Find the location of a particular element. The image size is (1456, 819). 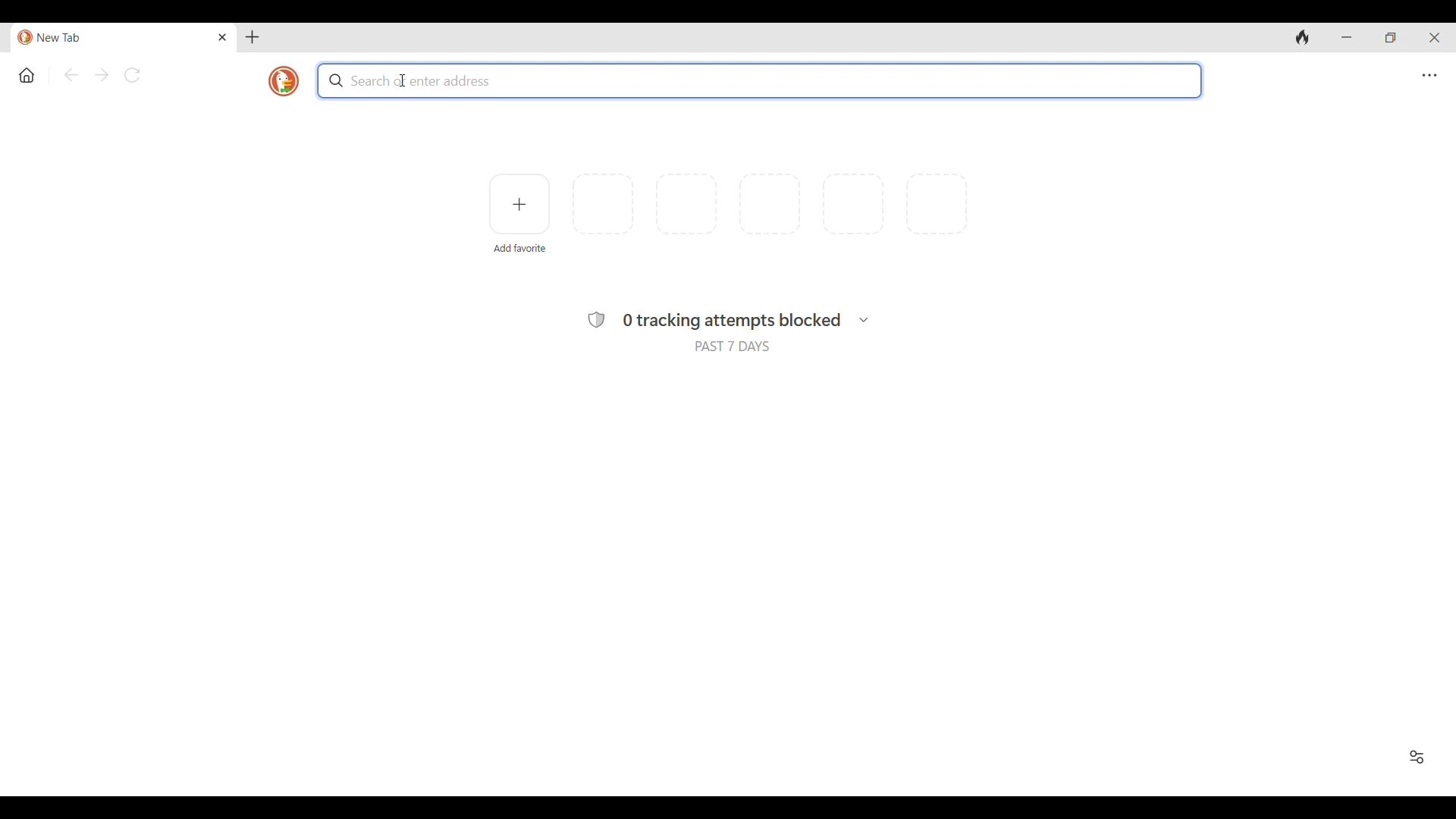

Protection symbol of browser is located at coordinates (596, 319).